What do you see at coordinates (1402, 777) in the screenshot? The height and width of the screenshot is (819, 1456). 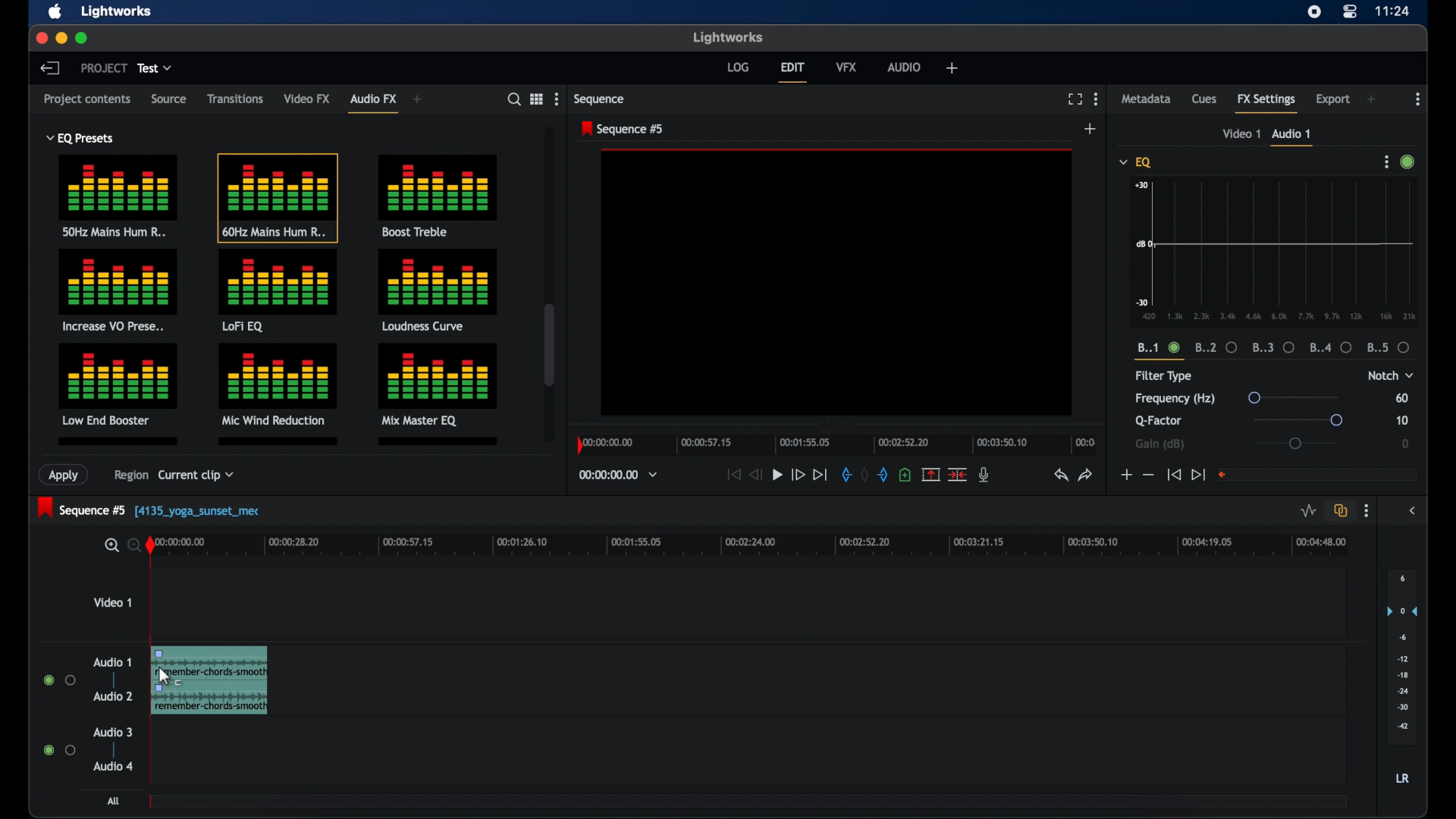 I see `LR` at bounding box center [1402, 777].